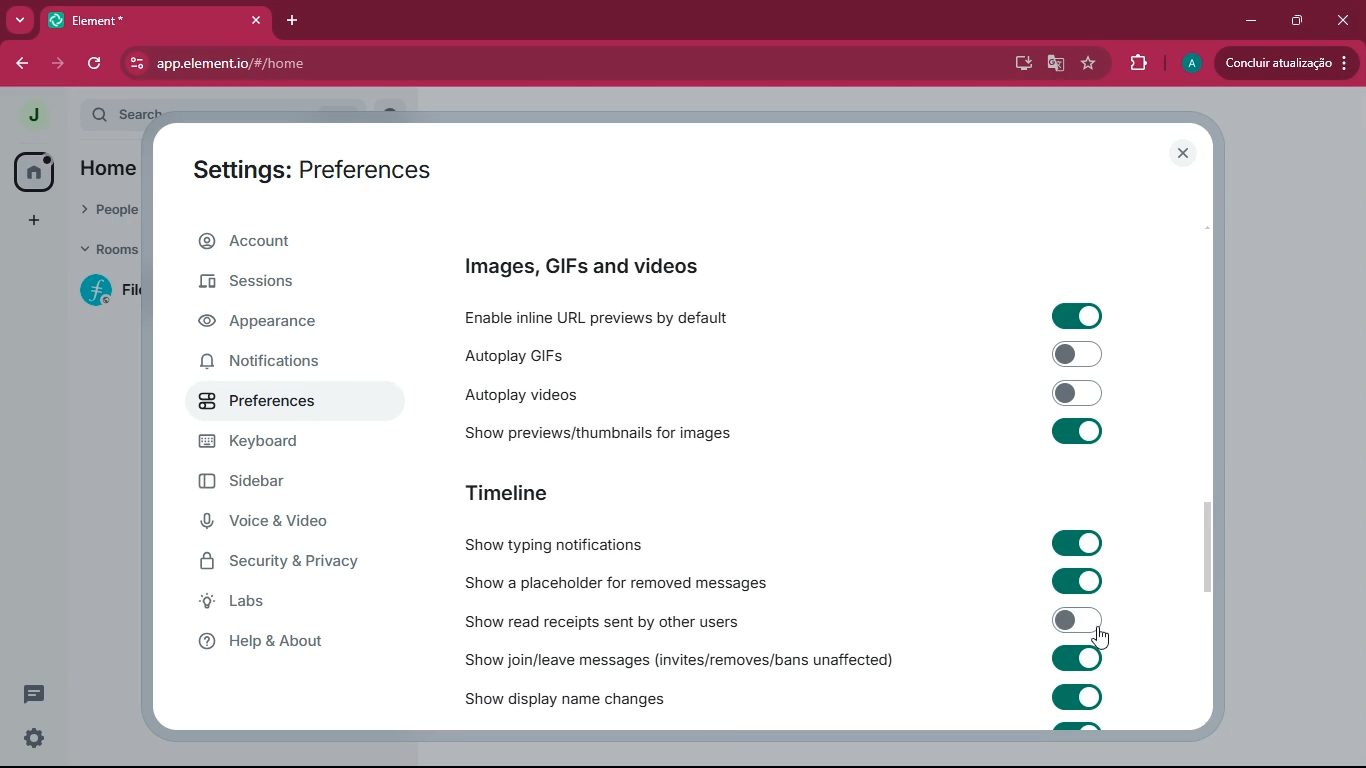 The image size is (1366, 768). Describe the element at coordinates (1078, 316) in the screenshot. I see `toggle on/off` at that location.